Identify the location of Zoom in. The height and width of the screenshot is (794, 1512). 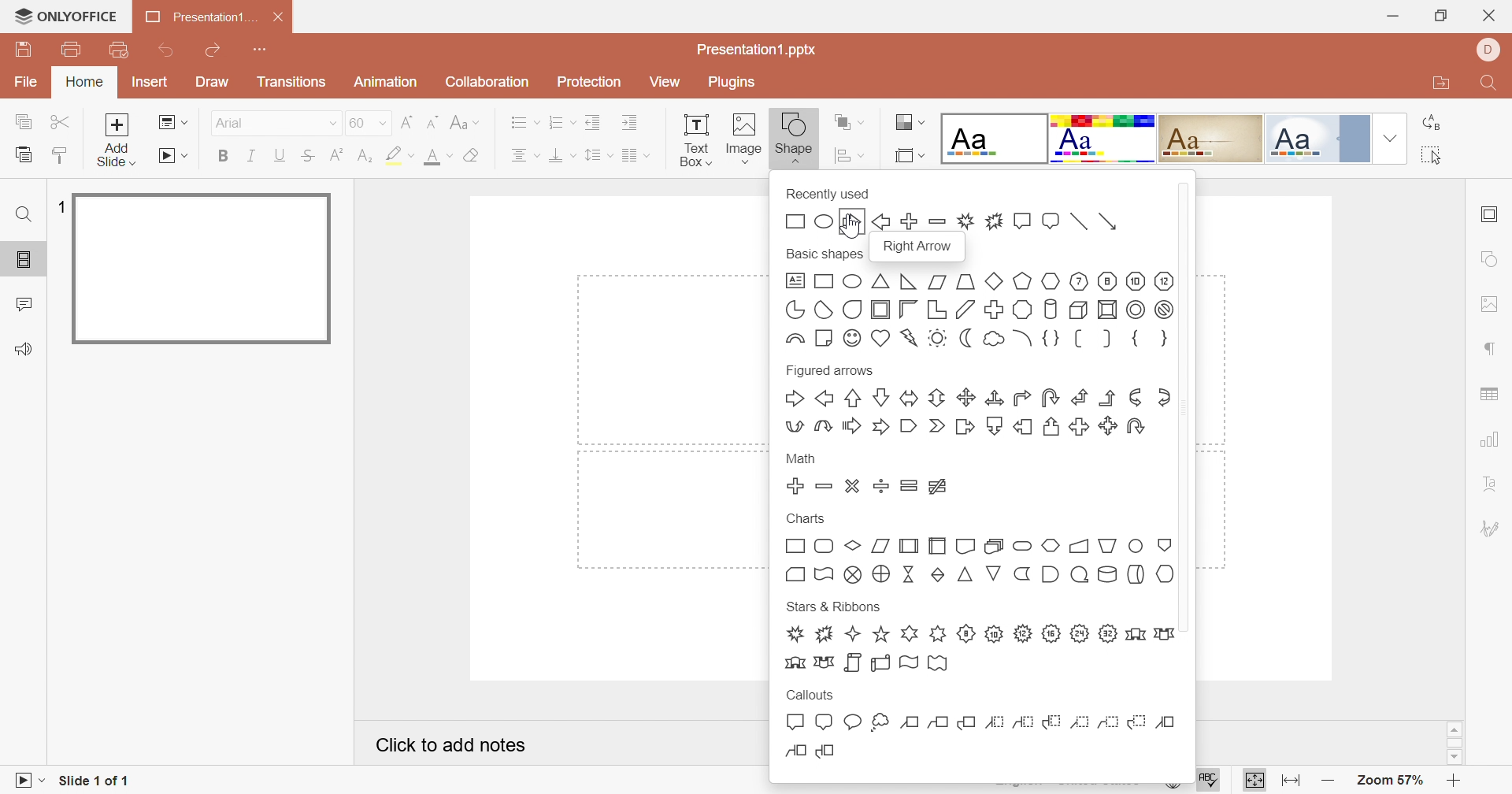
(1455, 782).